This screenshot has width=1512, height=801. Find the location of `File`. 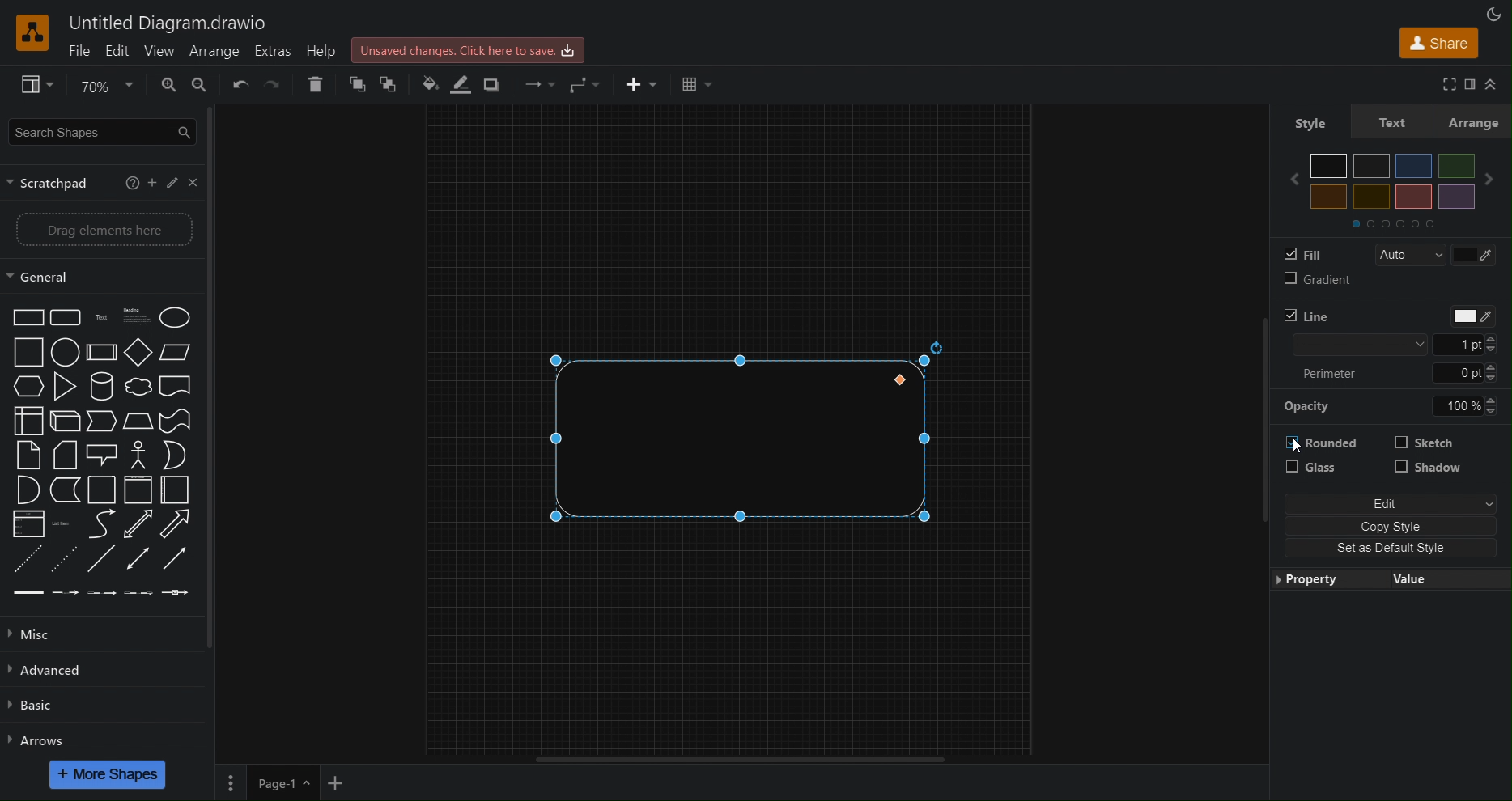

File is located at coordinates (82, 51).